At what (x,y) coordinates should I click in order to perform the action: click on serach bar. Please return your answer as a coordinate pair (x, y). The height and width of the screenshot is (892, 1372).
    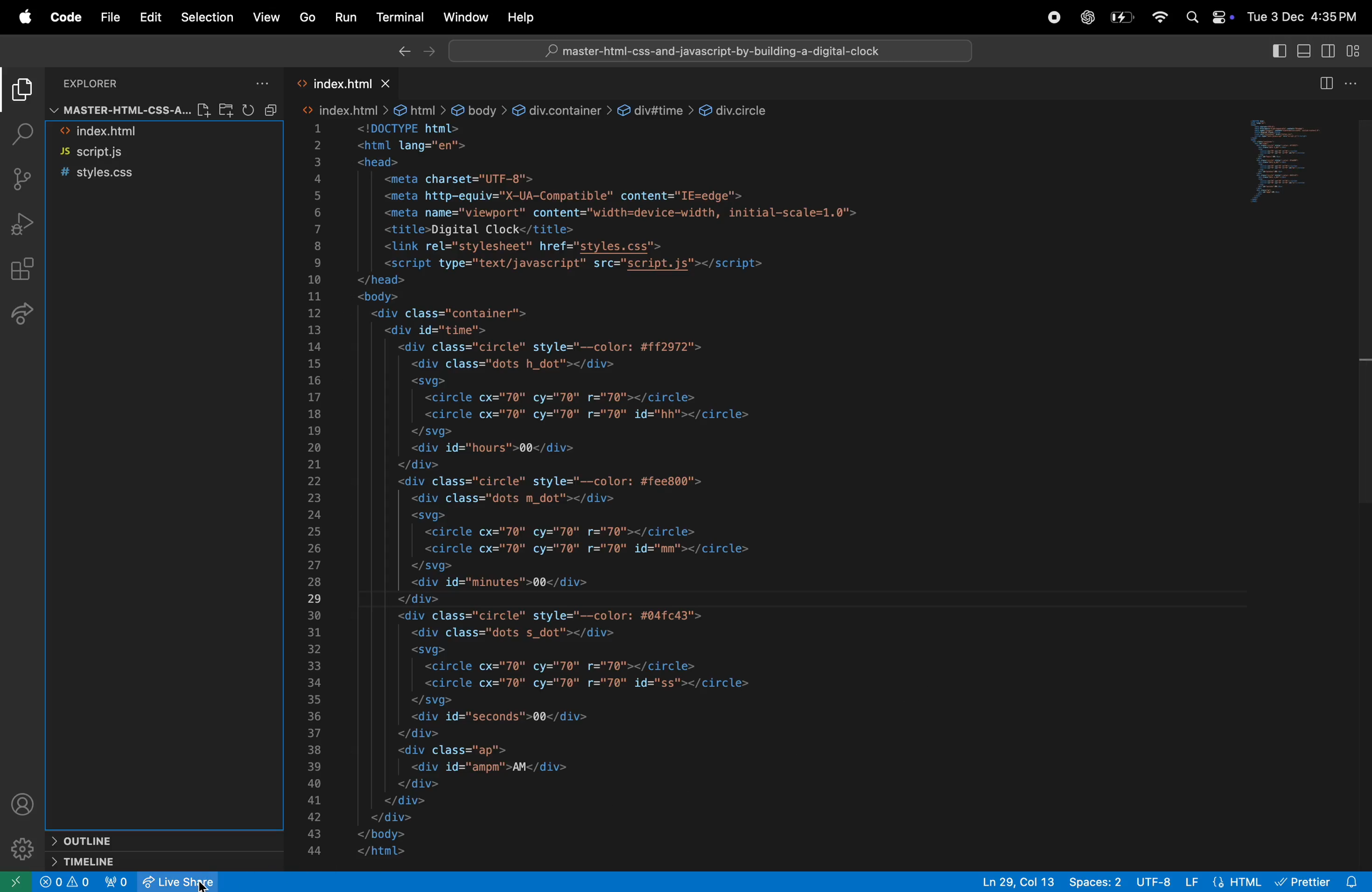
    Looking at the image, I should click on (712, 52).